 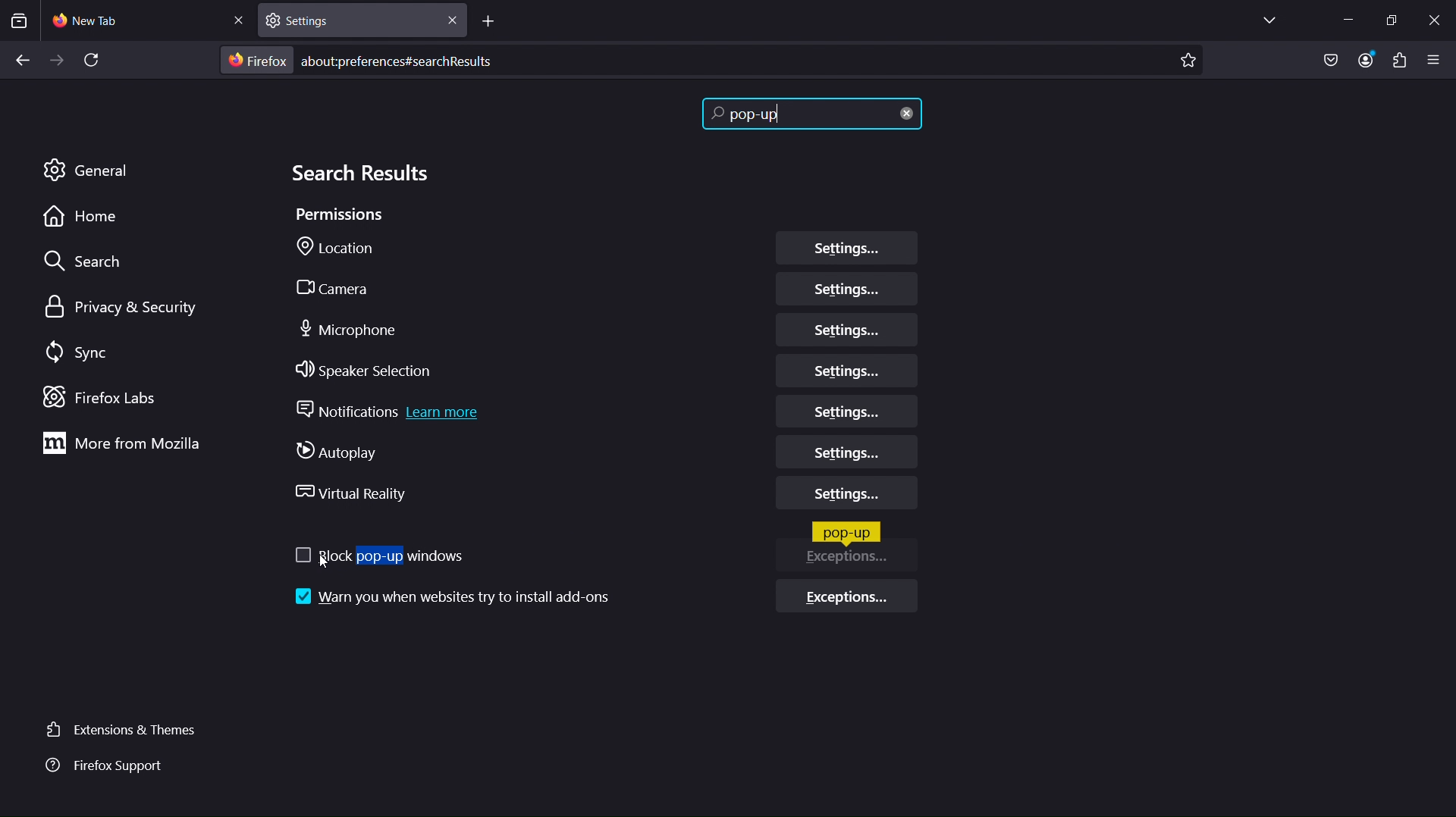 What do you see at coordinates (341, 218) in the screenshot?
I see `Permissions` at bounding box center [341, 218].